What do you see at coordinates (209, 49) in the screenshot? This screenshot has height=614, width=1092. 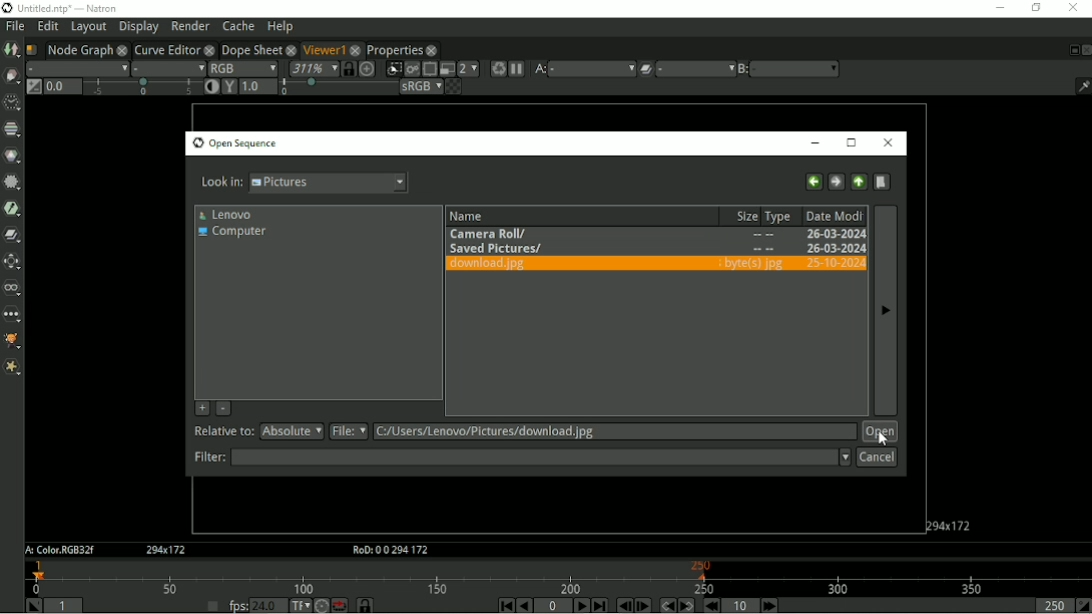 I see `close` at bounding box center [209, 49].